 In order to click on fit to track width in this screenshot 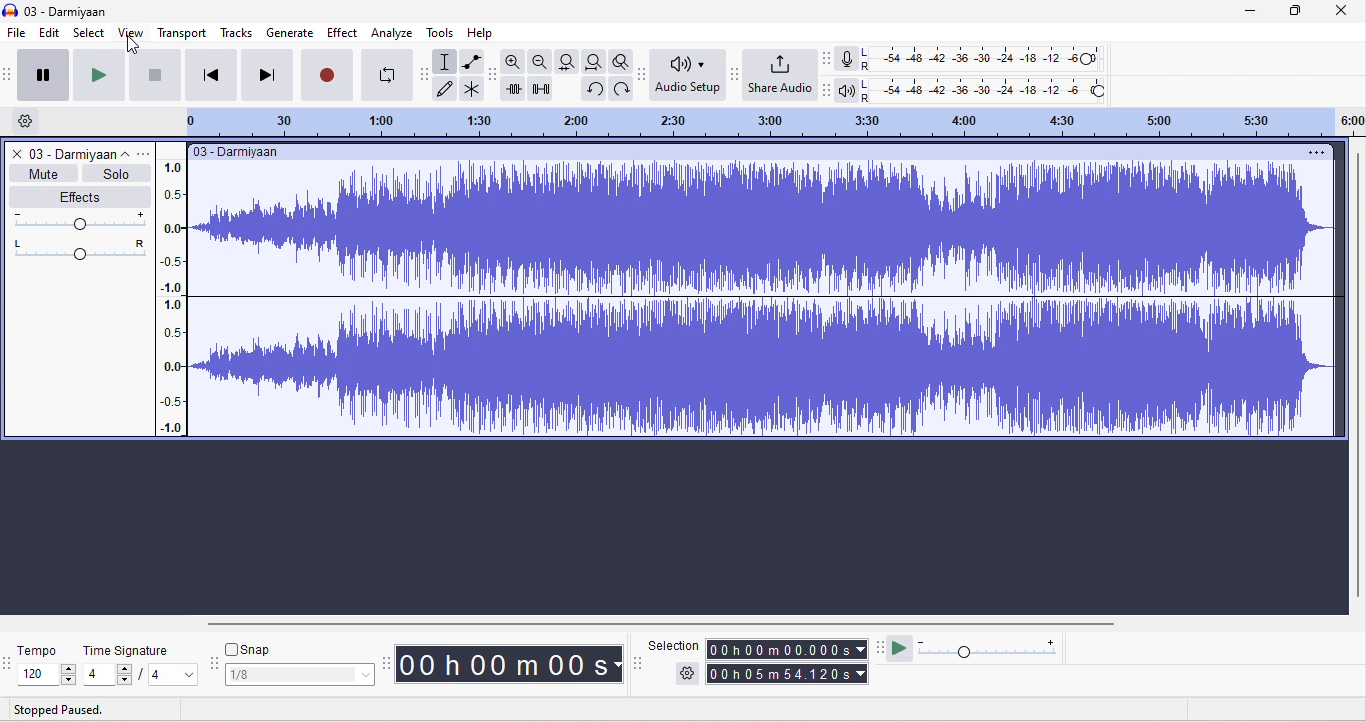, I will do `click(568, 61)`.